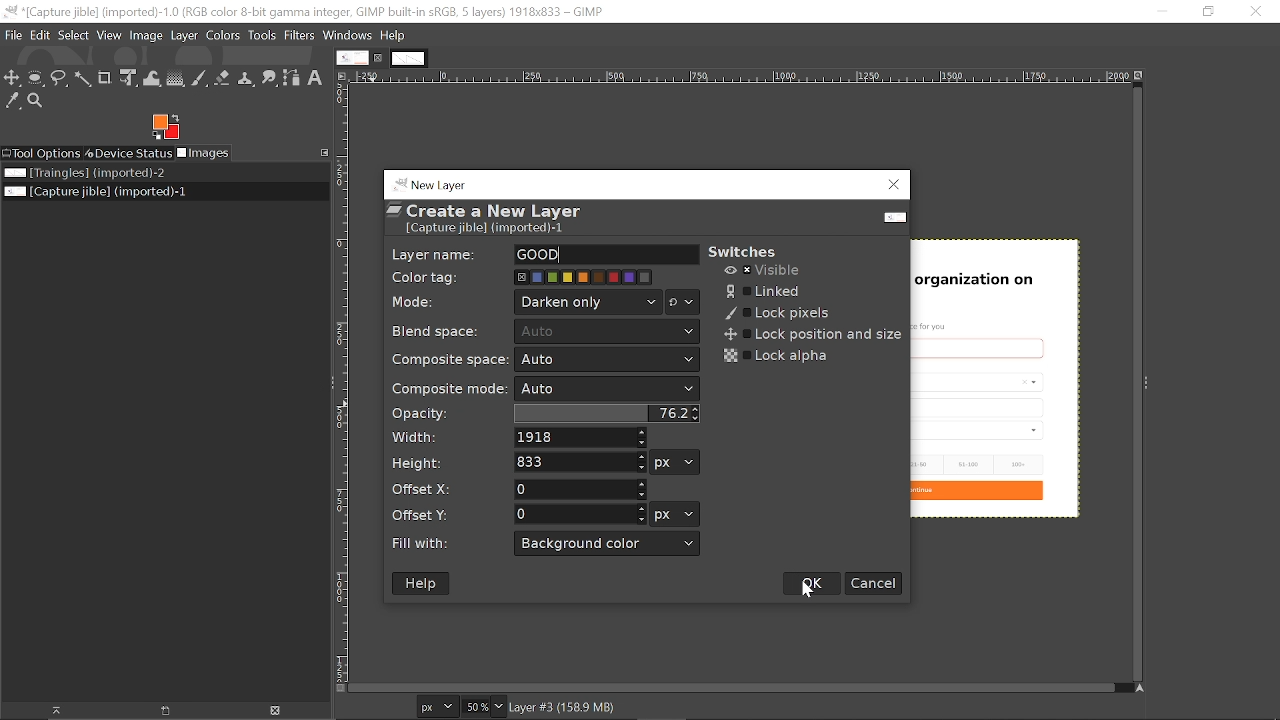 This screenshot has height=720, width=1280. Describe the element at coordinates (36, 78) in the screenshot. I see `Ellipse select tool` at that location.